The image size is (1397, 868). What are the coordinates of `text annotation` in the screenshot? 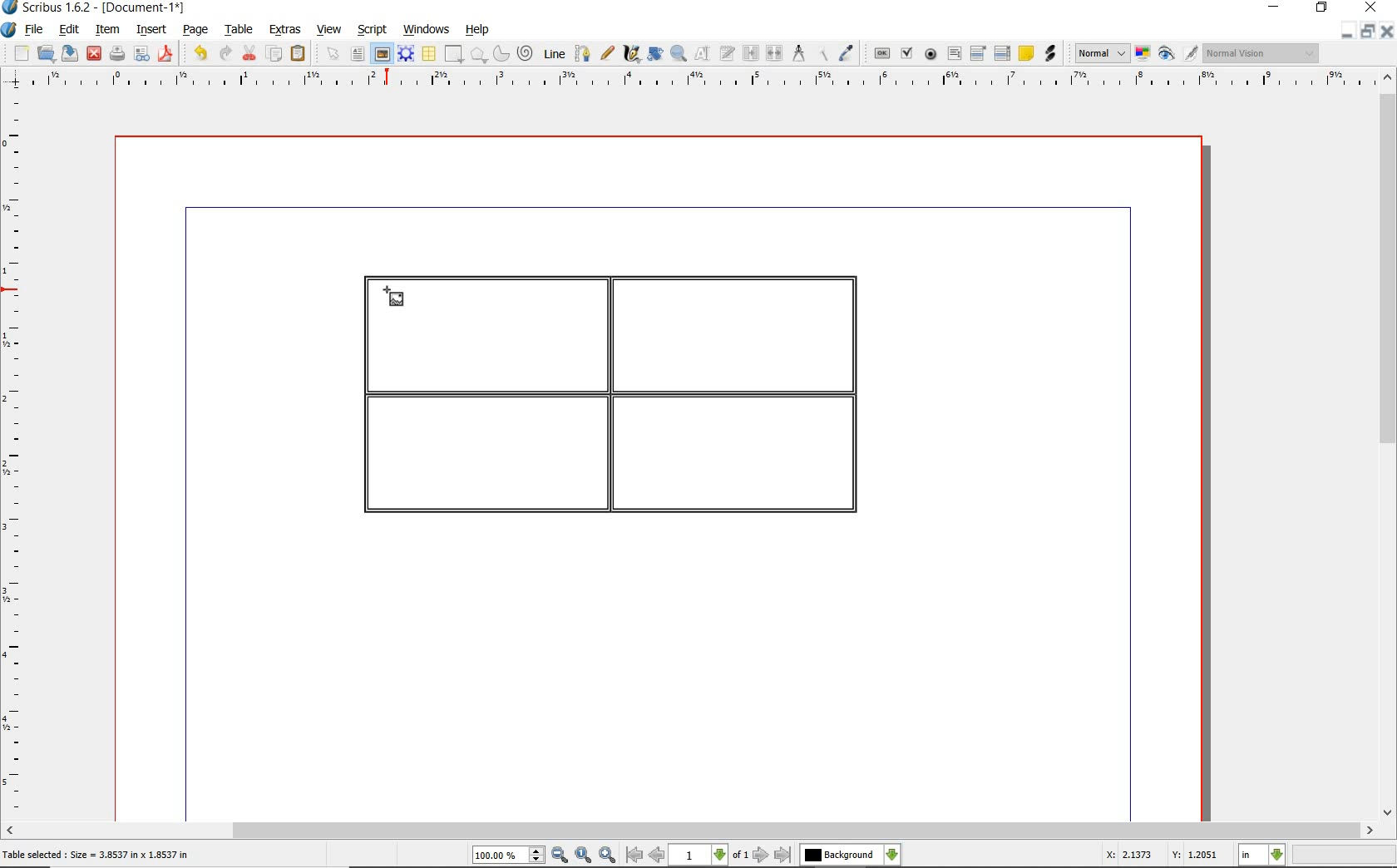 It's located at (1027, 54).